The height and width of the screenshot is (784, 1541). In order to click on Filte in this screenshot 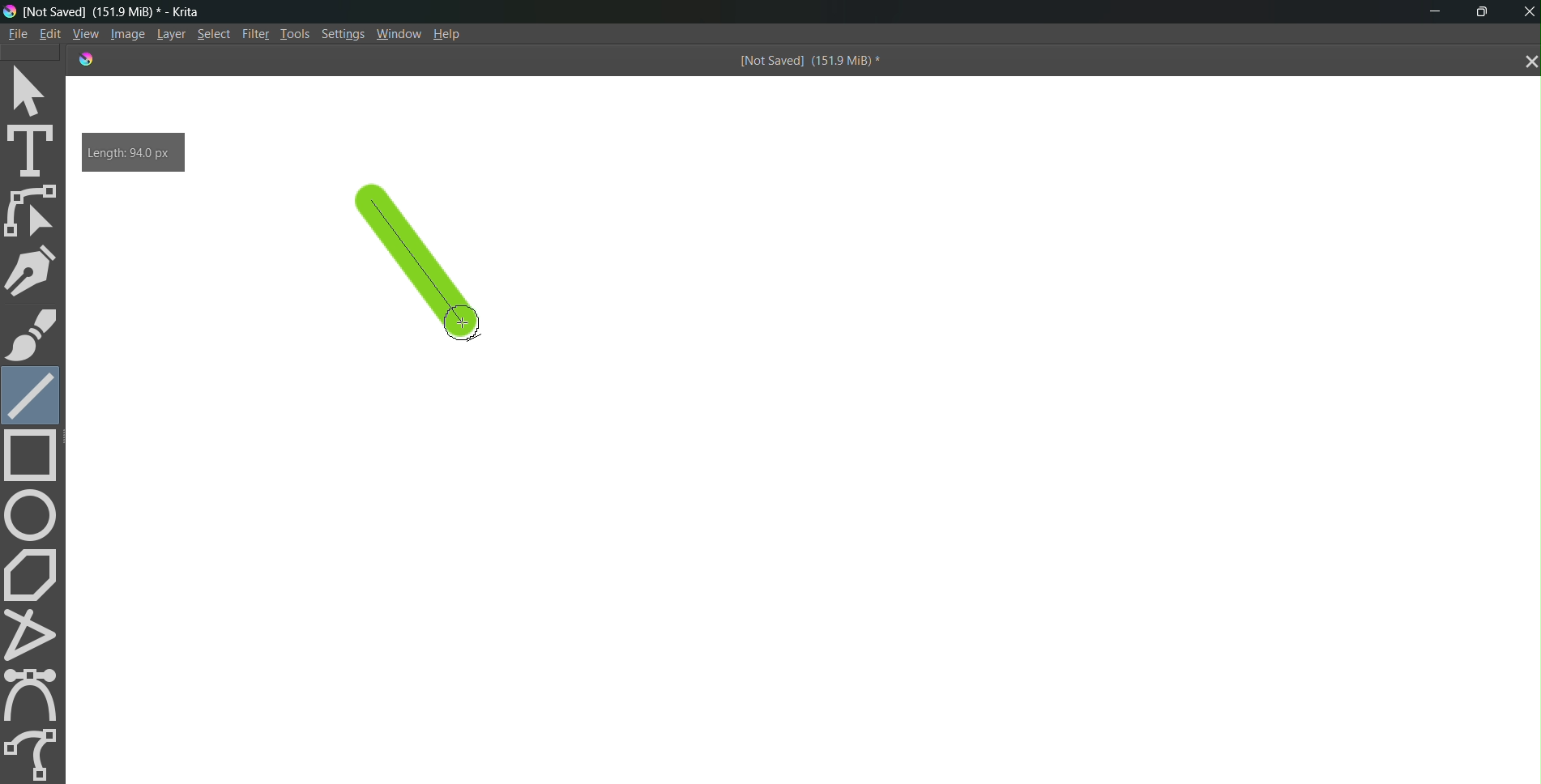, I will do `click(252, 32)`.